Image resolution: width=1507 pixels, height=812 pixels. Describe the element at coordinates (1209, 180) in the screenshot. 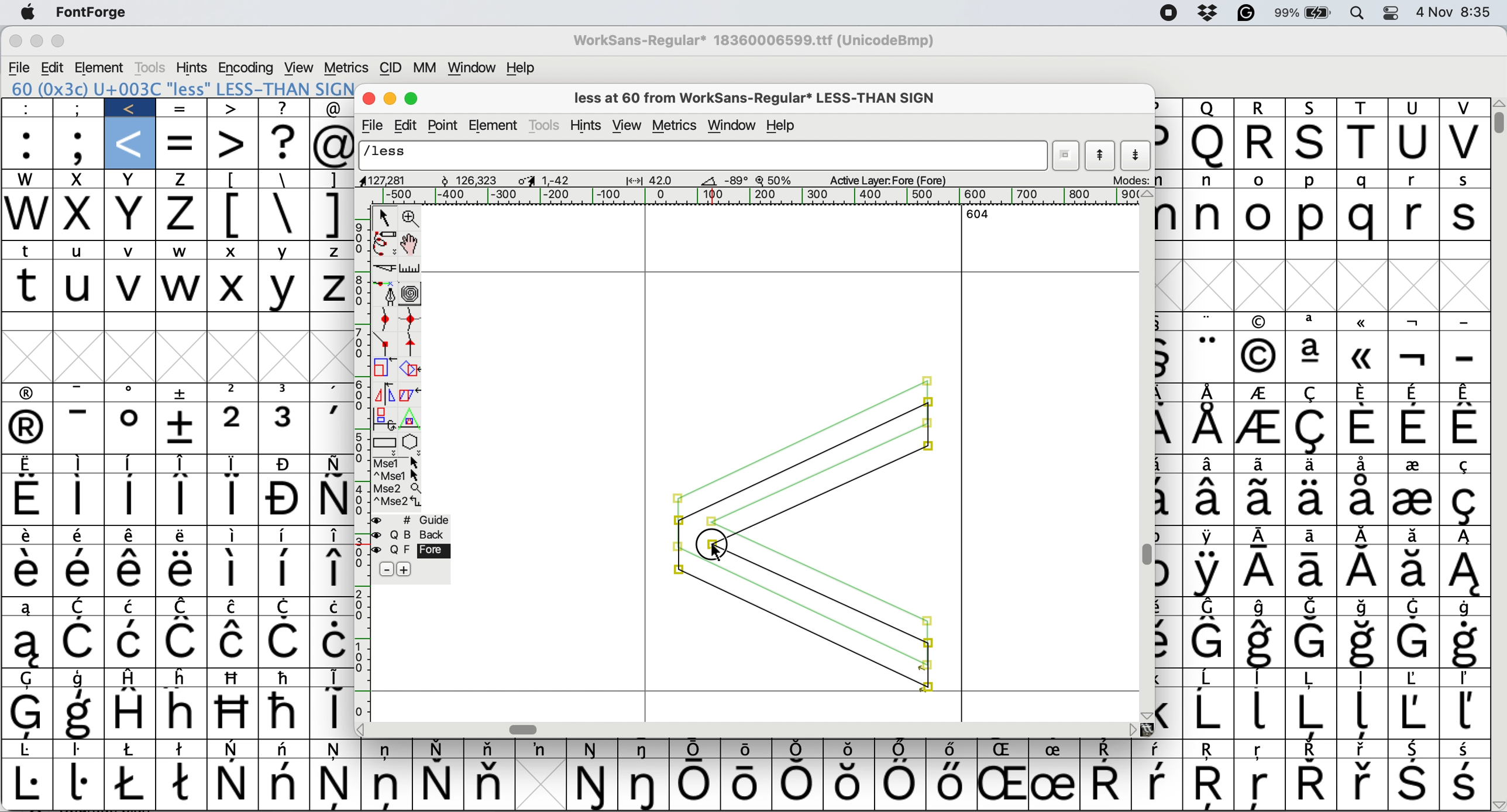

I see `n` at that location.